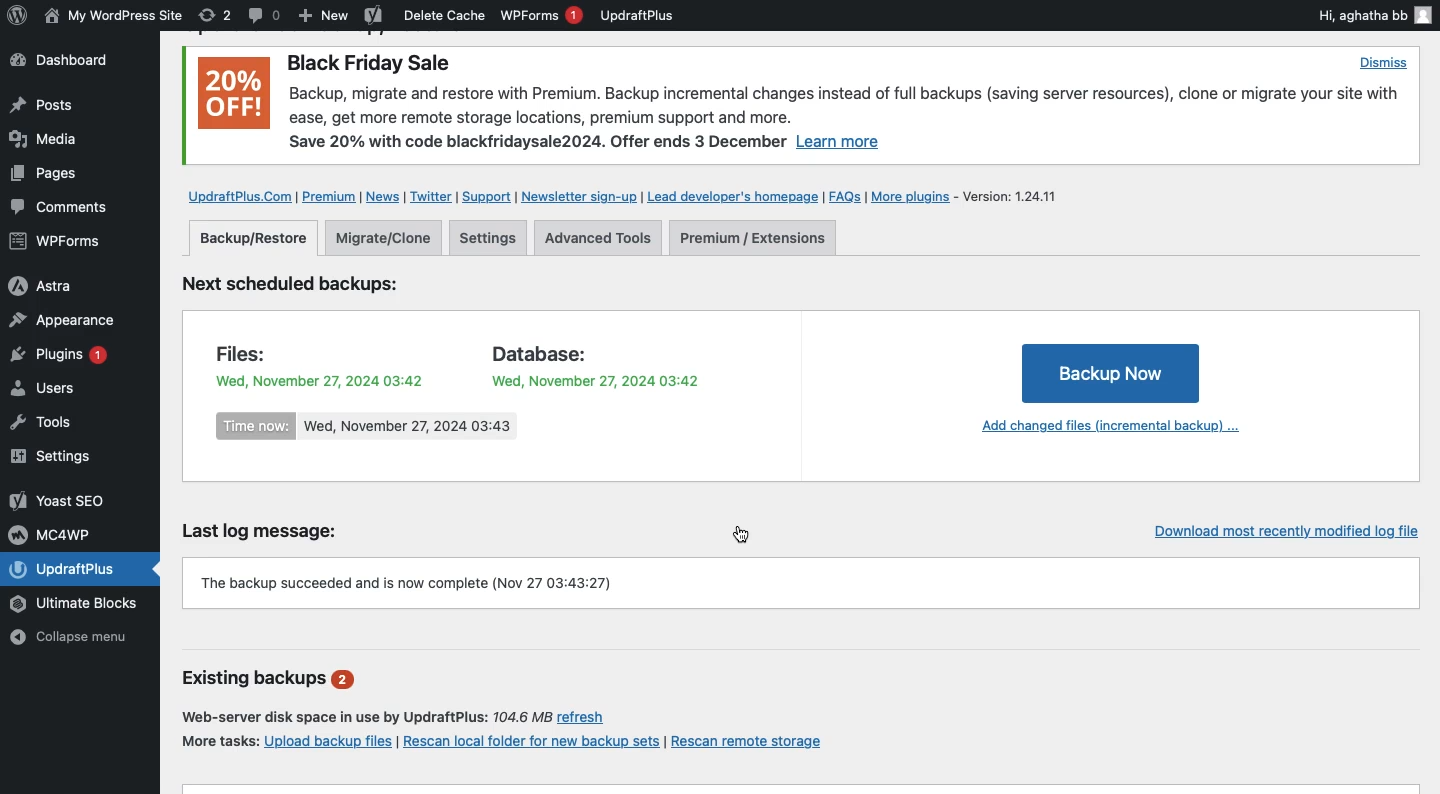 The width and height of the screenshot is (1440, 794). Describe the element at coordinates (846, 121) in the screenshot. I see `Backup, migrate and restore with Premium. Backup incremental changes instead of full backups (saving server resources), clone or migrate your site withease, get more remote storage locations, premium support and more. Save 20% with code blackfridaysale2024. Offer ends 3 December Learn more` at that location.